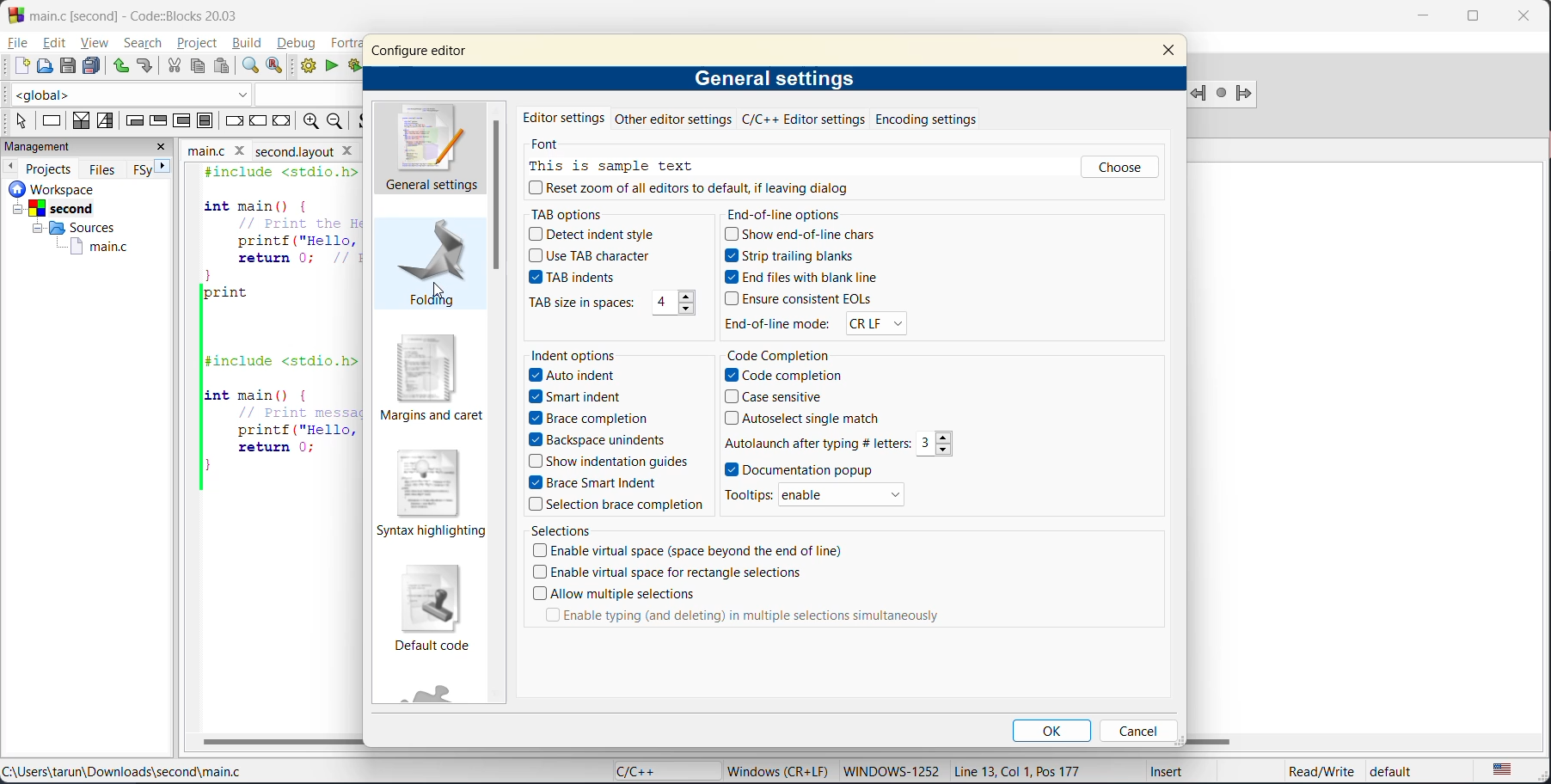 The height and width of the screenshot is (784, 1551). Describe the element at coordinates (623, 166) in the screenshot. I see `this is a sample text` at that location.